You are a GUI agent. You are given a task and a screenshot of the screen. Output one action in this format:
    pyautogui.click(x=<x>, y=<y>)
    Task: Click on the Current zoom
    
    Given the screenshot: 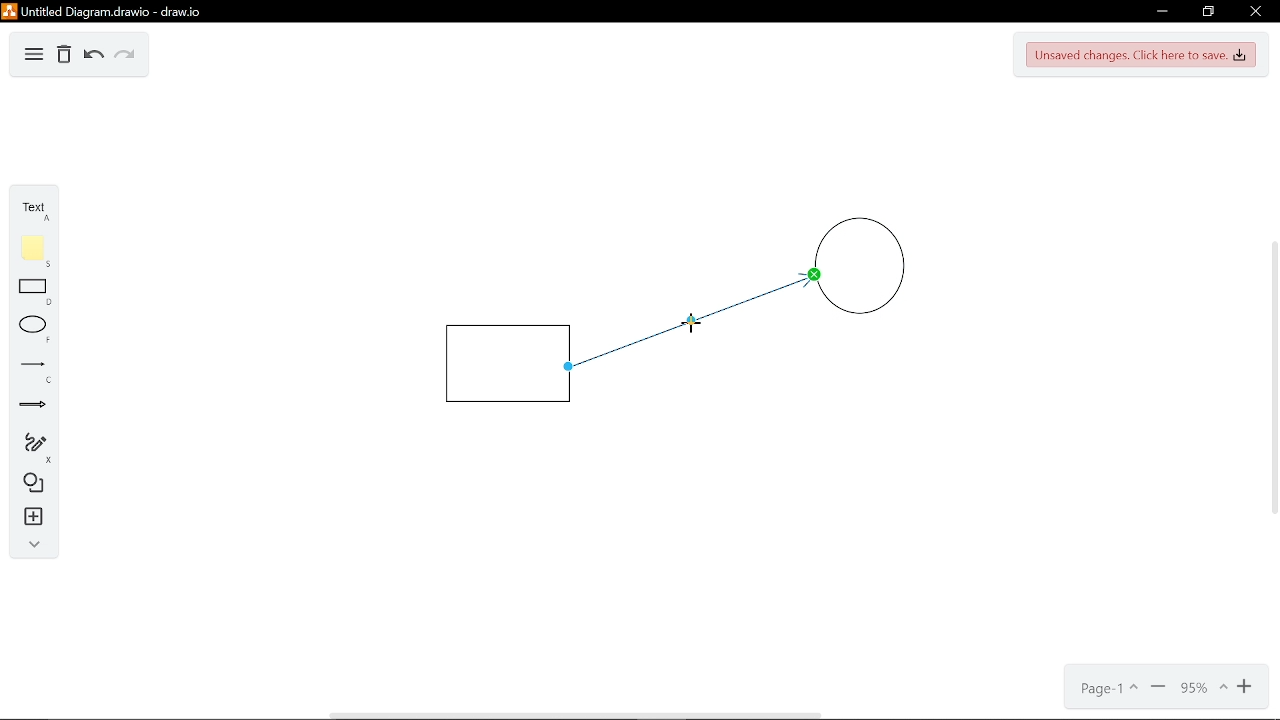 What is the action you would take?
    pyautogui.click(x=1202, y=688)
    